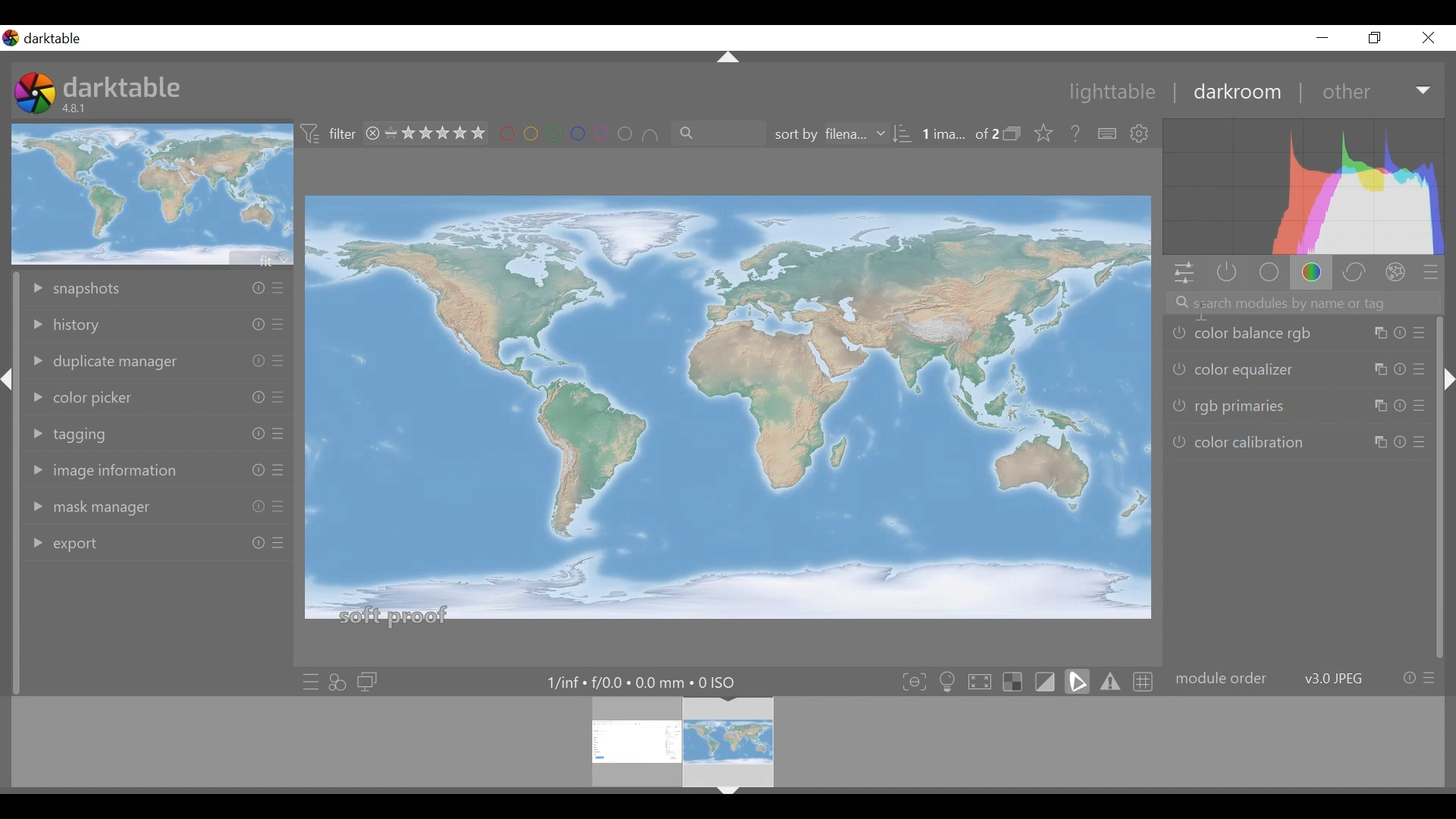 This screenshot has width=1456, height=819. Describe the element at coordinates (278, 548) in the screenshot. I see `` at that location.